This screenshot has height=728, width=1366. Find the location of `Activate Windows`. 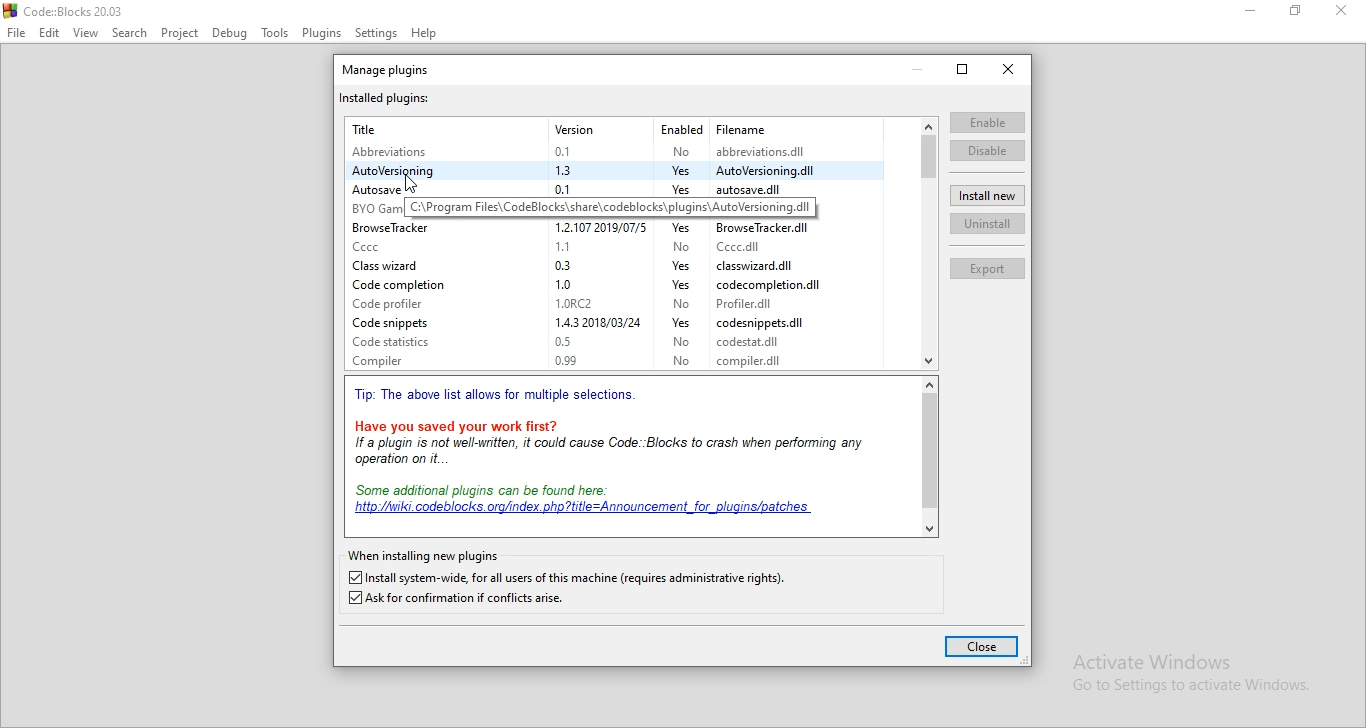

Activate Windows is located at coordinates (1182, 659).